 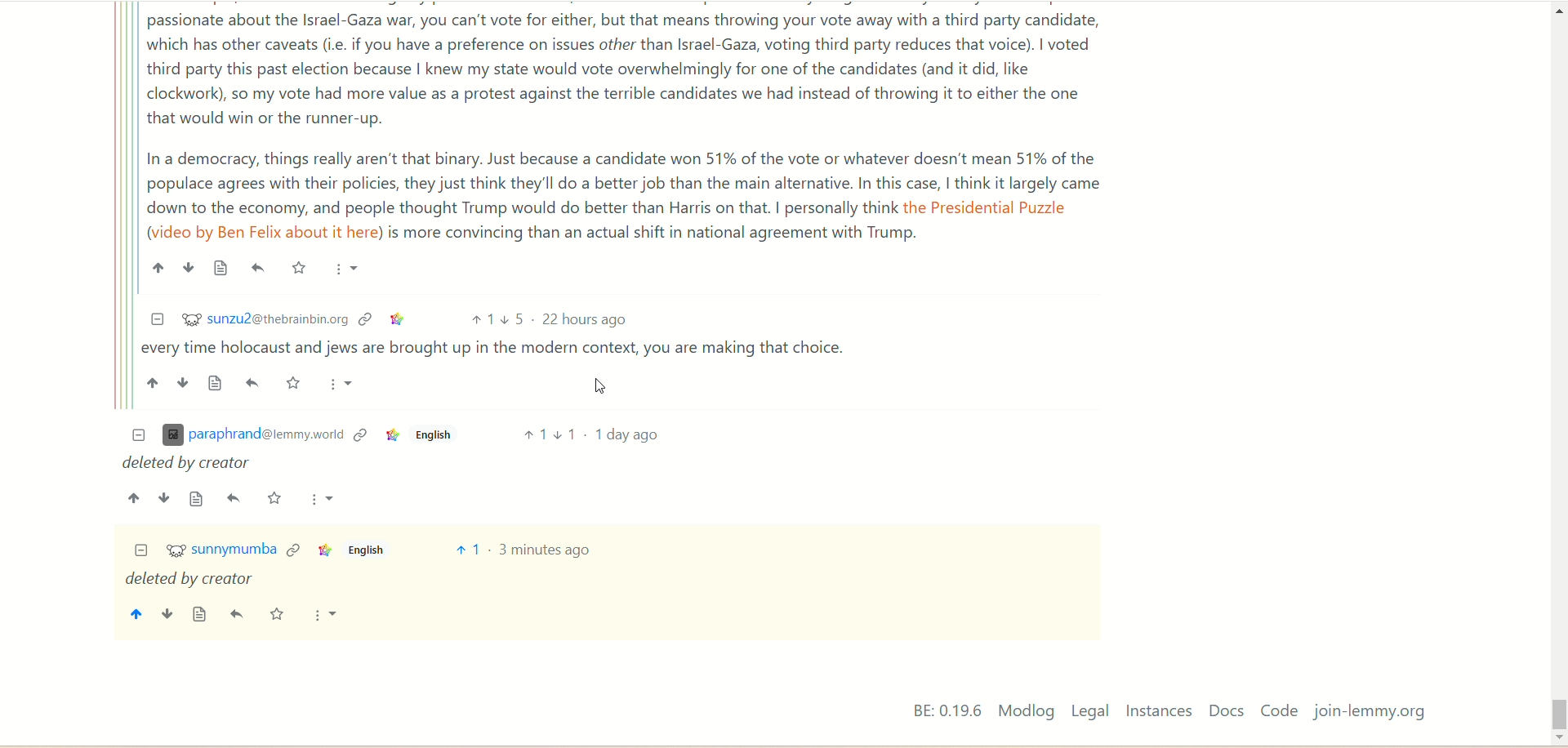 What do you see at coordinates (628, 125) in the screenshot?
I see `For example, Biden didn't meaningfully push back on Israel, and | doubt Trump would do anything differently. So if you are super
passionate about the Israel-Gaza war, you can't vote for either, but that means throwing your vote away with a third party candidate,
which has other caveats (i.e. if you have a preference on issues other than Israel-Gaza, voting third party reduces that voice). | voted
third party this past election because | knew my state would vote overwhelmingly for one of the candidates (and it did, like
clockwork), so my vote had more value as a protest against the terrible candidates we had instead of throwing it to either the one
that would win or the runner-up.

In a democracy, things really aren't that binary. Just because a candidate won 51% of the vote or whatever doesn't mean 51% of the
populace agrees with their policies, they just think they'll do a better job than the main alternative. In this case, | think it largely came
down to the economy, and people thought Trump would do better than Harris on that. | personally think the Presidential Puzzle
(video by Ben Felix about it here) is more convincing than an actual shift in national agreement with Trump.` at bounding box center [628, 125].